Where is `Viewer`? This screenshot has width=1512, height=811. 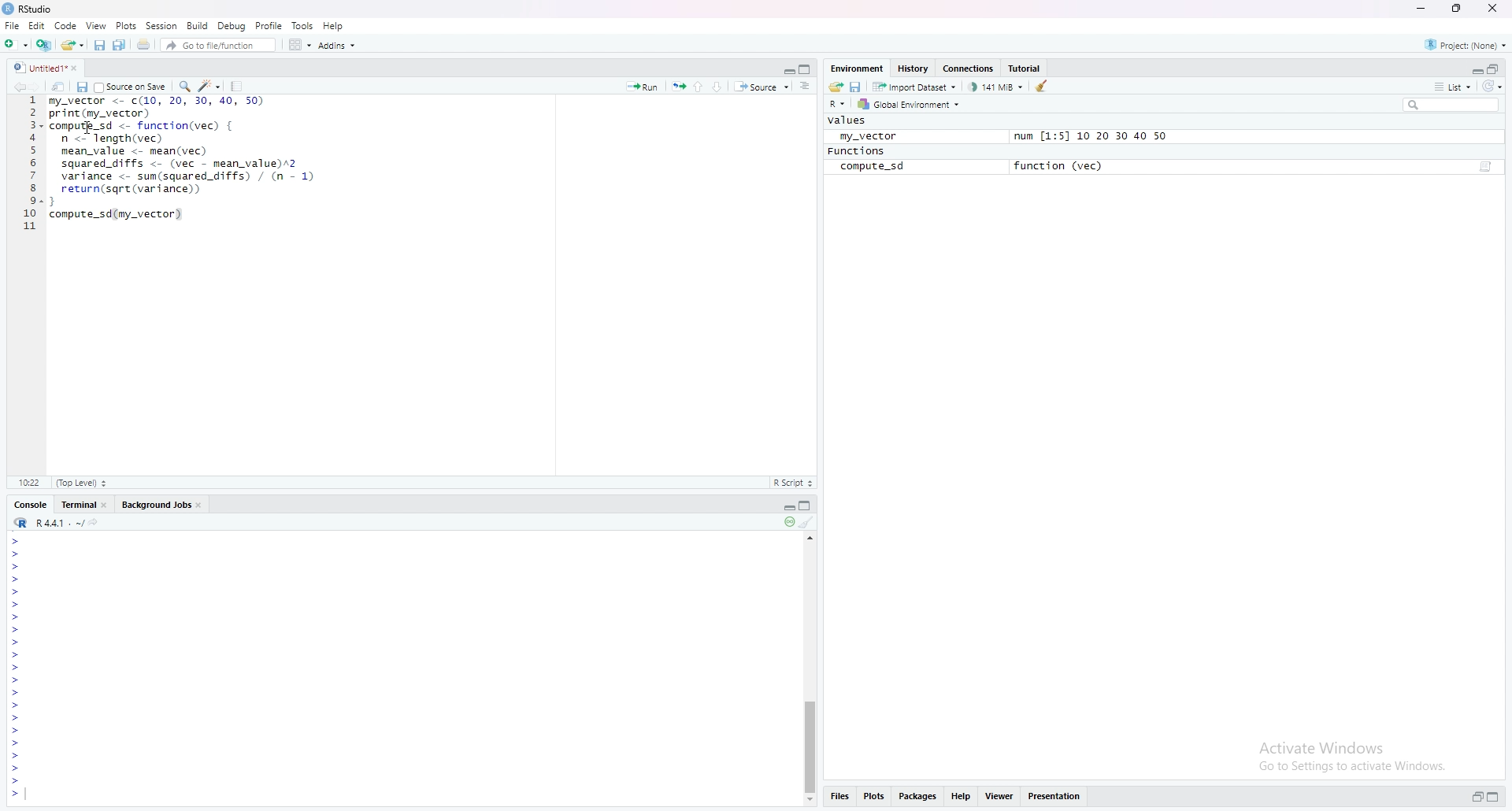 Viewer is located at coordinates (997, 796).